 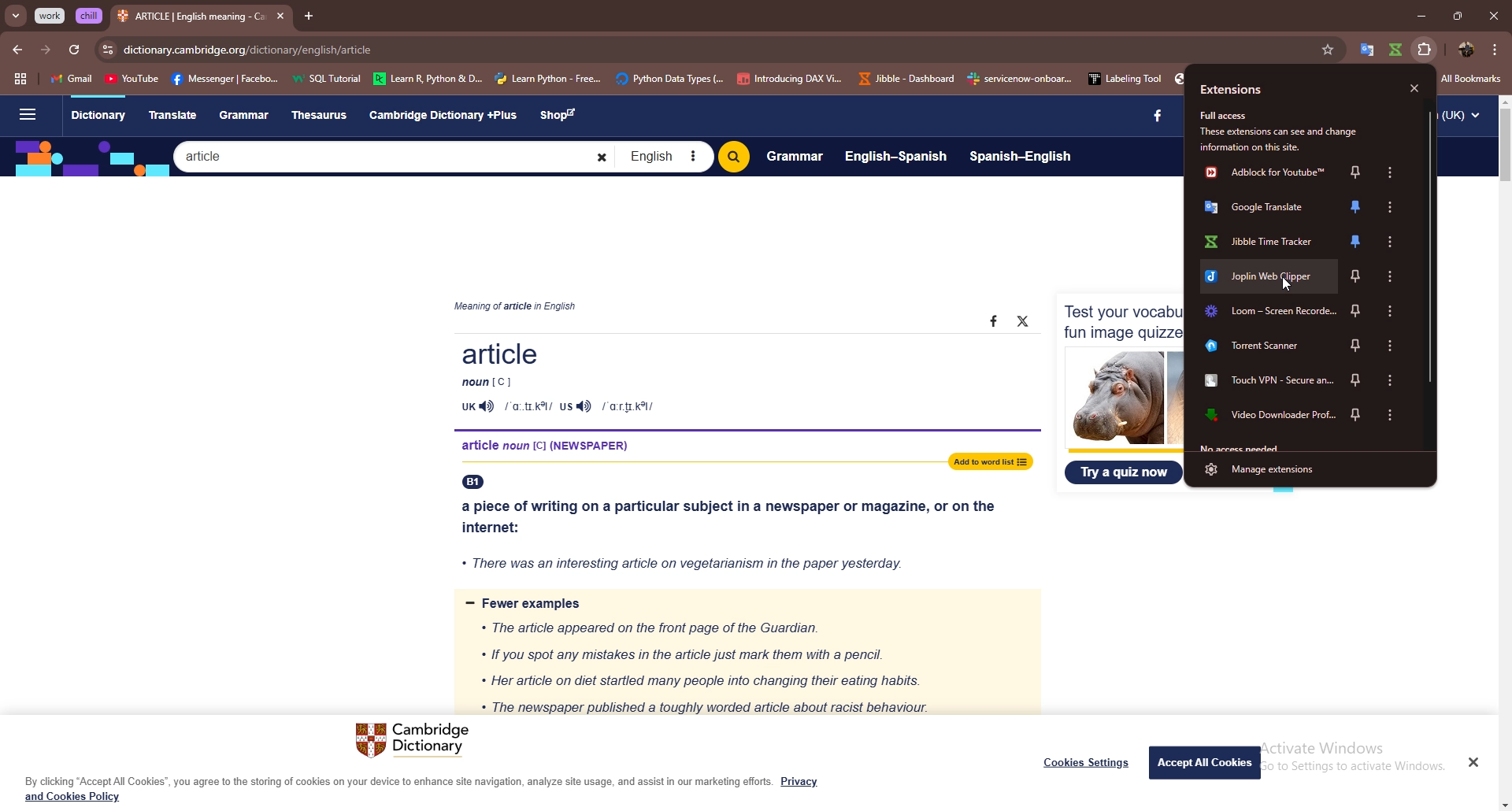 I want to click on pin, so click(x=1354, y=346).